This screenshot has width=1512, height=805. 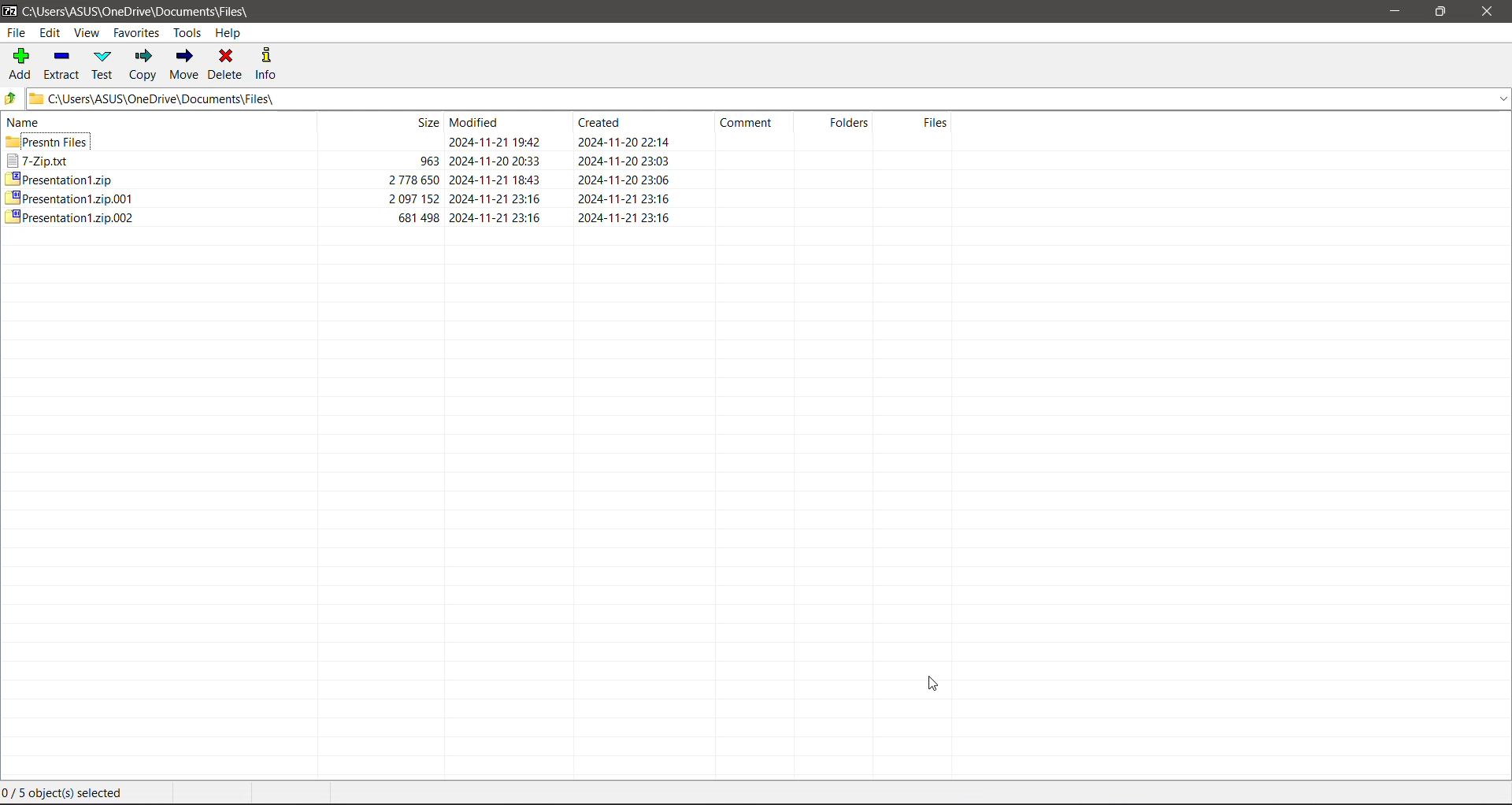 What do you see at coordinates (144, 11) in the screenshot?
I see `c\Users\ASUS\OneDrive\Documents\Files\` at bounding box center [144, 11].